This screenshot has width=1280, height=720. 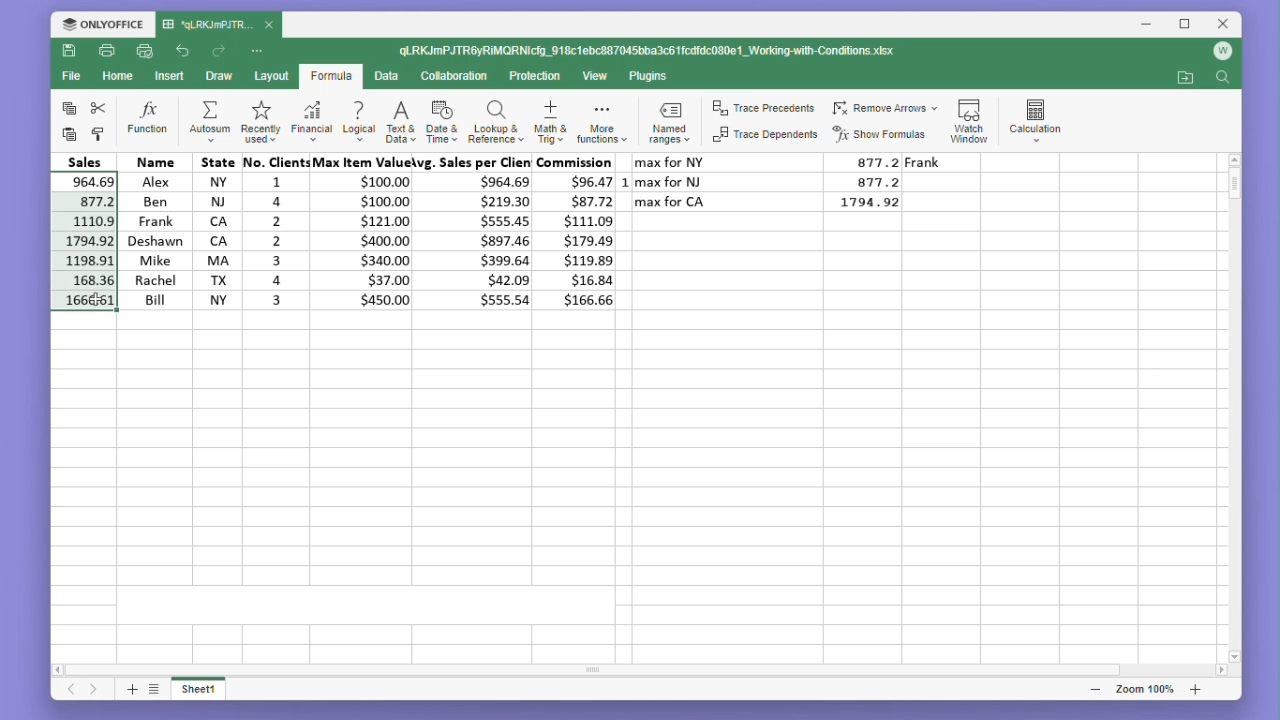 I want to click on qLRKJmPJTR6yRIMQRNIcfg_918c1ebc887045bba3c61fcdfdc080c1_Working-with-Conditions.xlsx, so click(x=651, y=49).